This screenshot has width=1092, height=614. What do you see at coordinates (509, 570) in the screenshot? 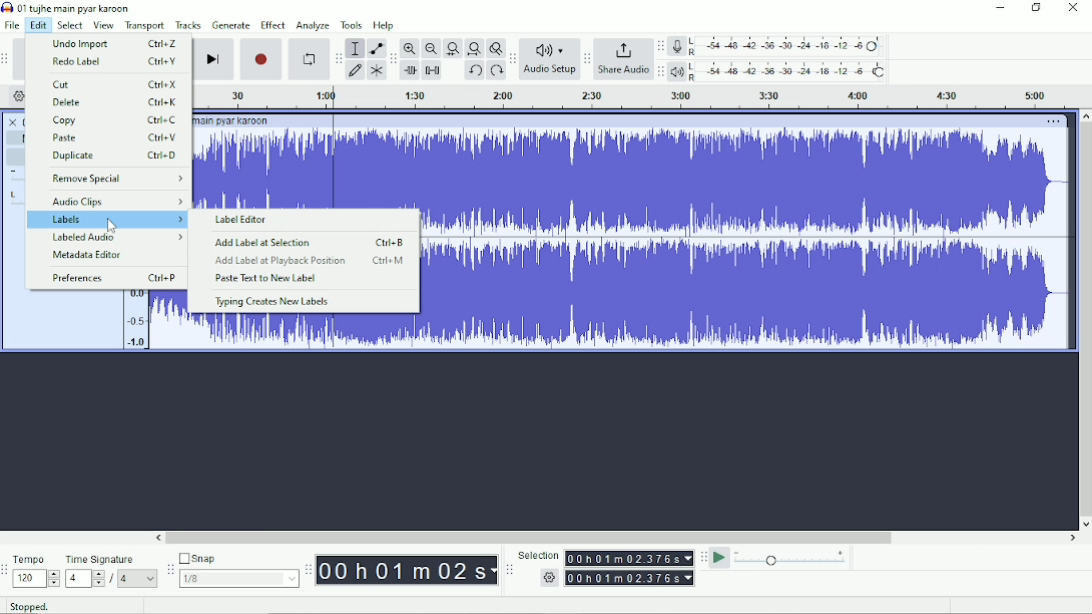
I see `Audacity selection toolbar` at bounding box center [509, 570].